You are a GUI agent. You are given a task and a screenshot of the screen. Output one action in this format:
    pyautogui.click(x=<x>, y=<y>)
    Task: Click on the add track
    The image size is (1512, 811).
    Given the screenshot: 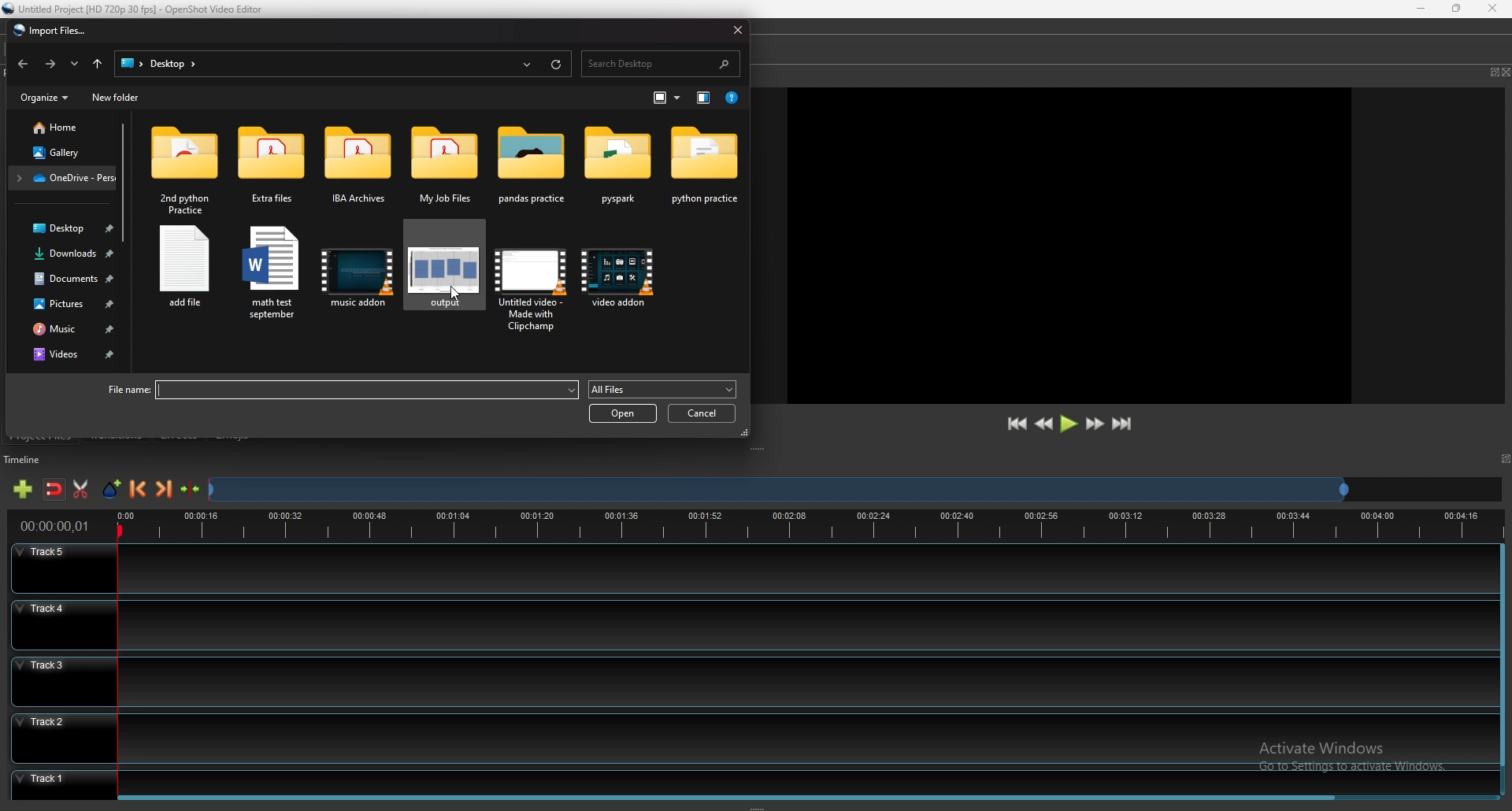 What is the action you would take?
    pyautogui.click(x=23, y=489)
    